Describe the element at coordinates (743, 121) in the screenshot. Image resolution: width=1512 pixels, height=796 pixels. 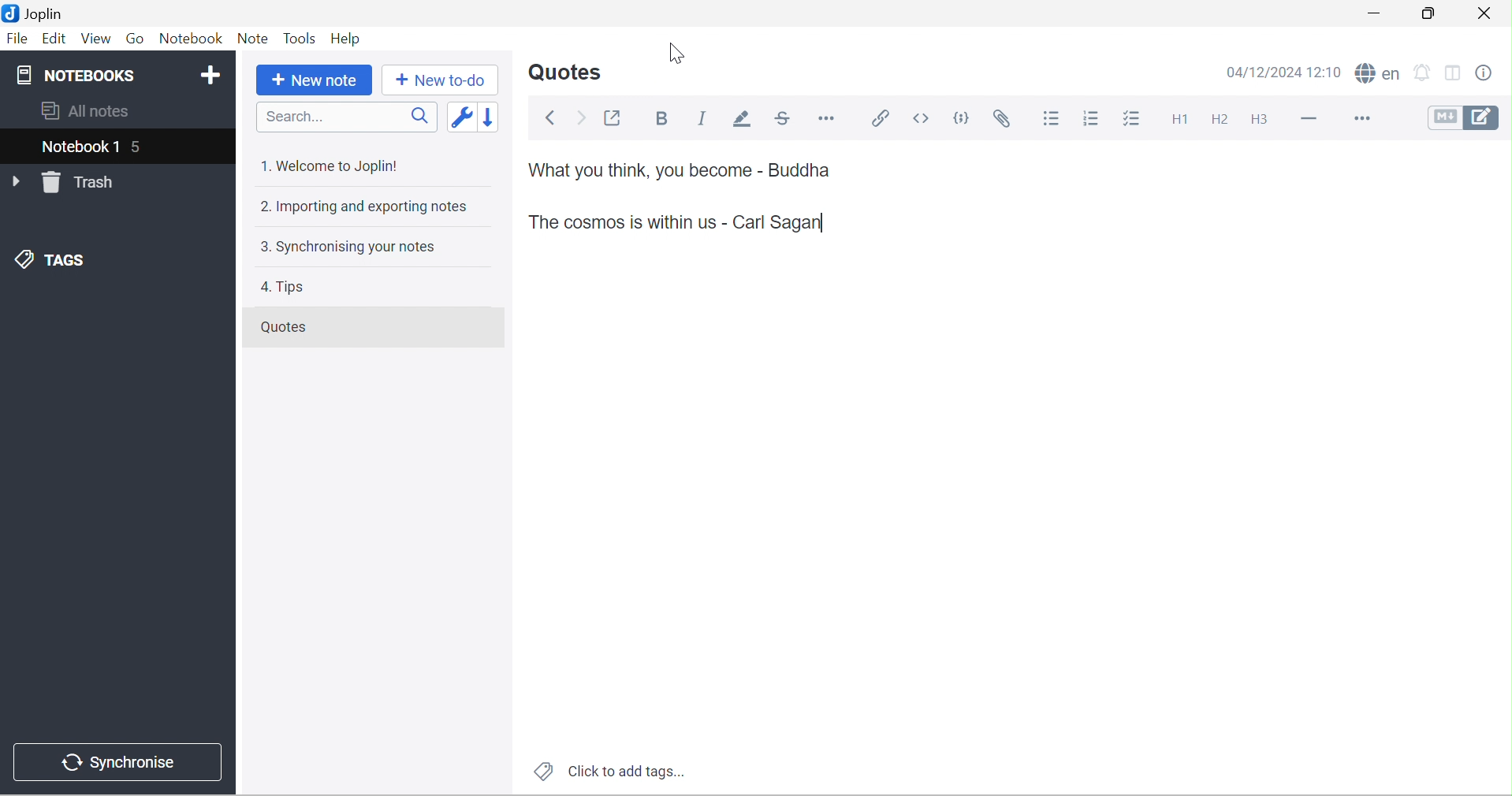
I see `Highlight` at that location.